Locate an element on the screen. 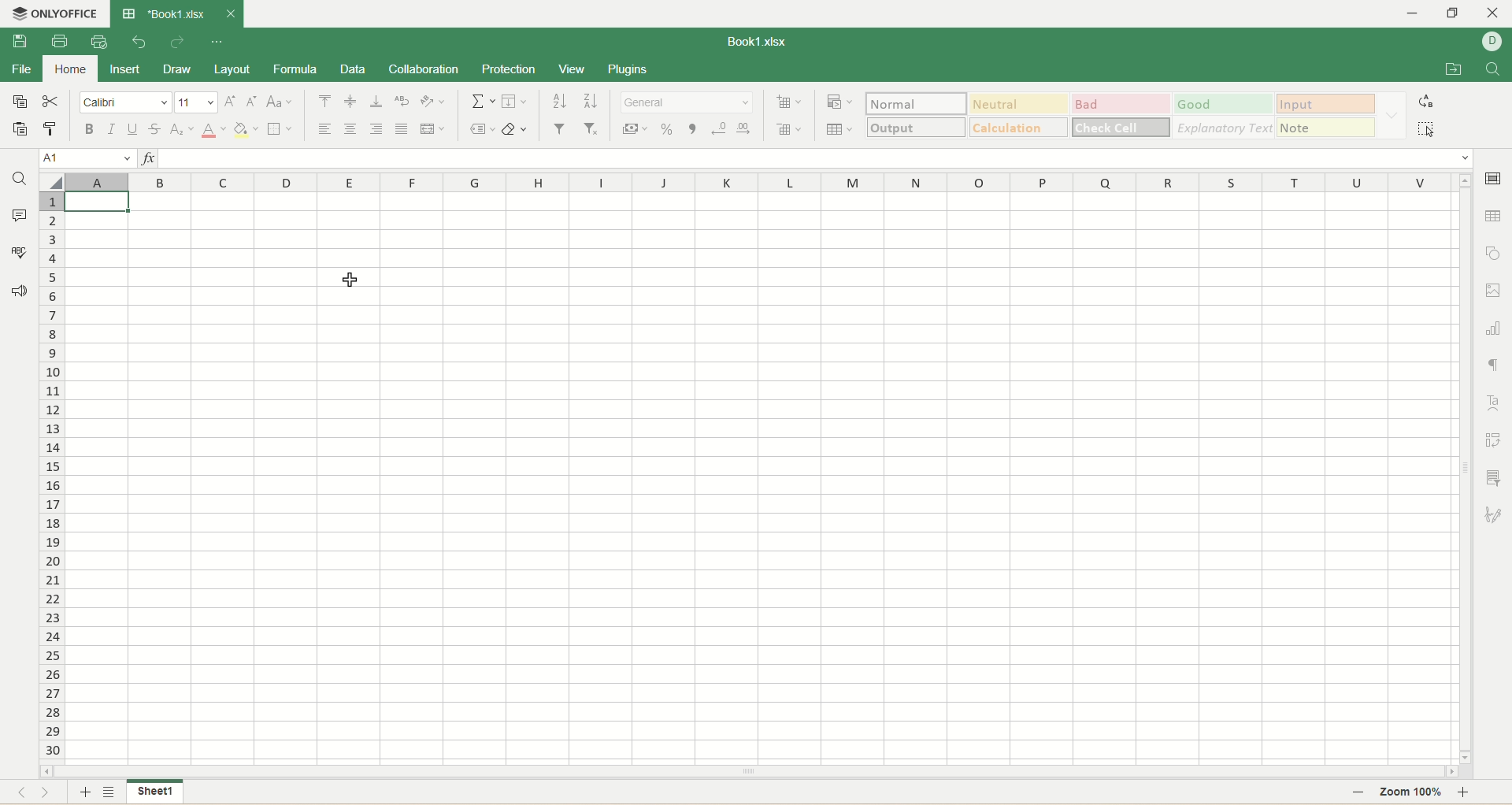 Image resolution: width=1512 pixels, height=805 pixels. table settings is located at coordinates (1494, 217).